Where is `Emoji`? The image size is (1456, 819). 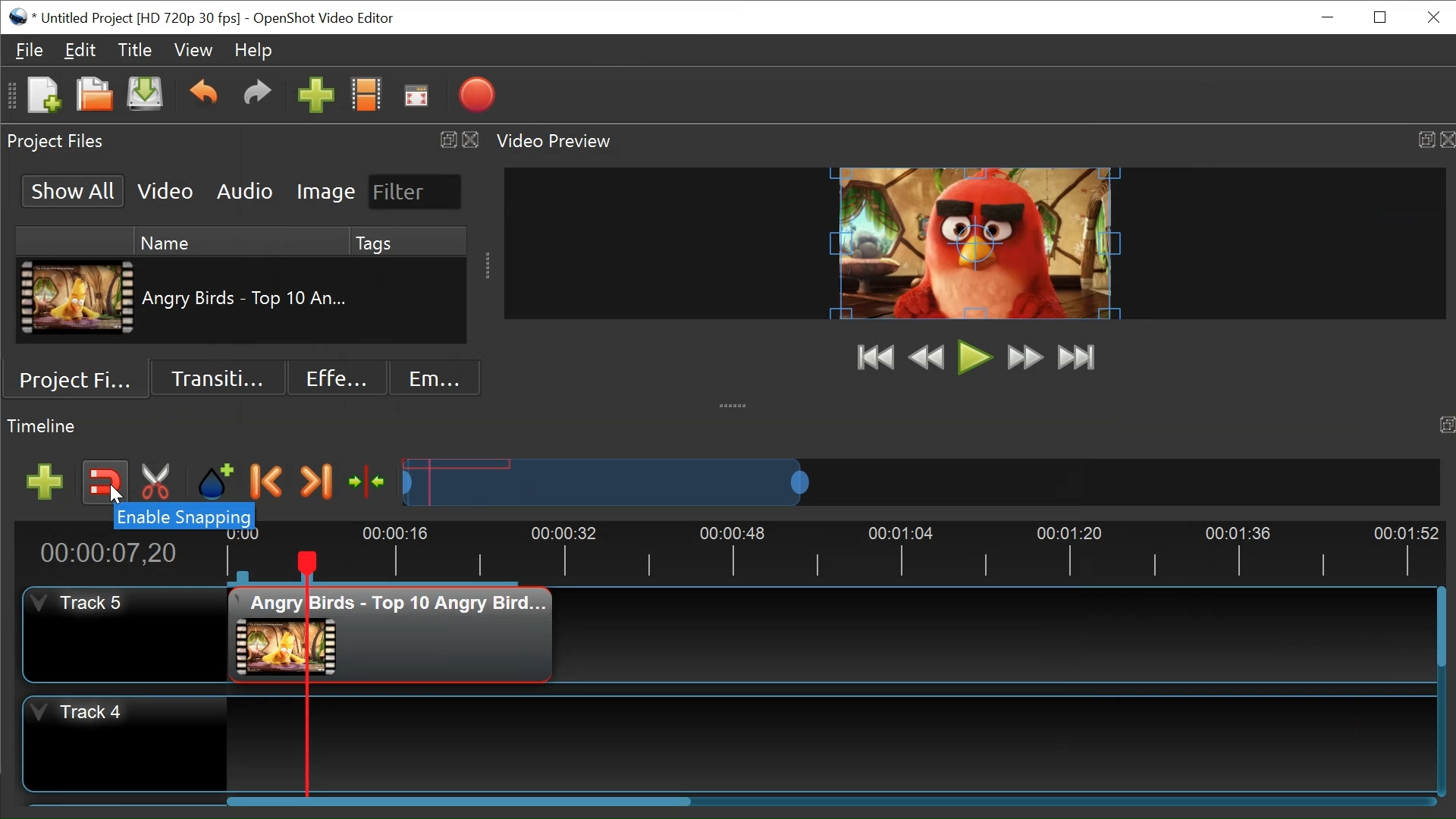 Emoji is located at coordinates (435, 379).